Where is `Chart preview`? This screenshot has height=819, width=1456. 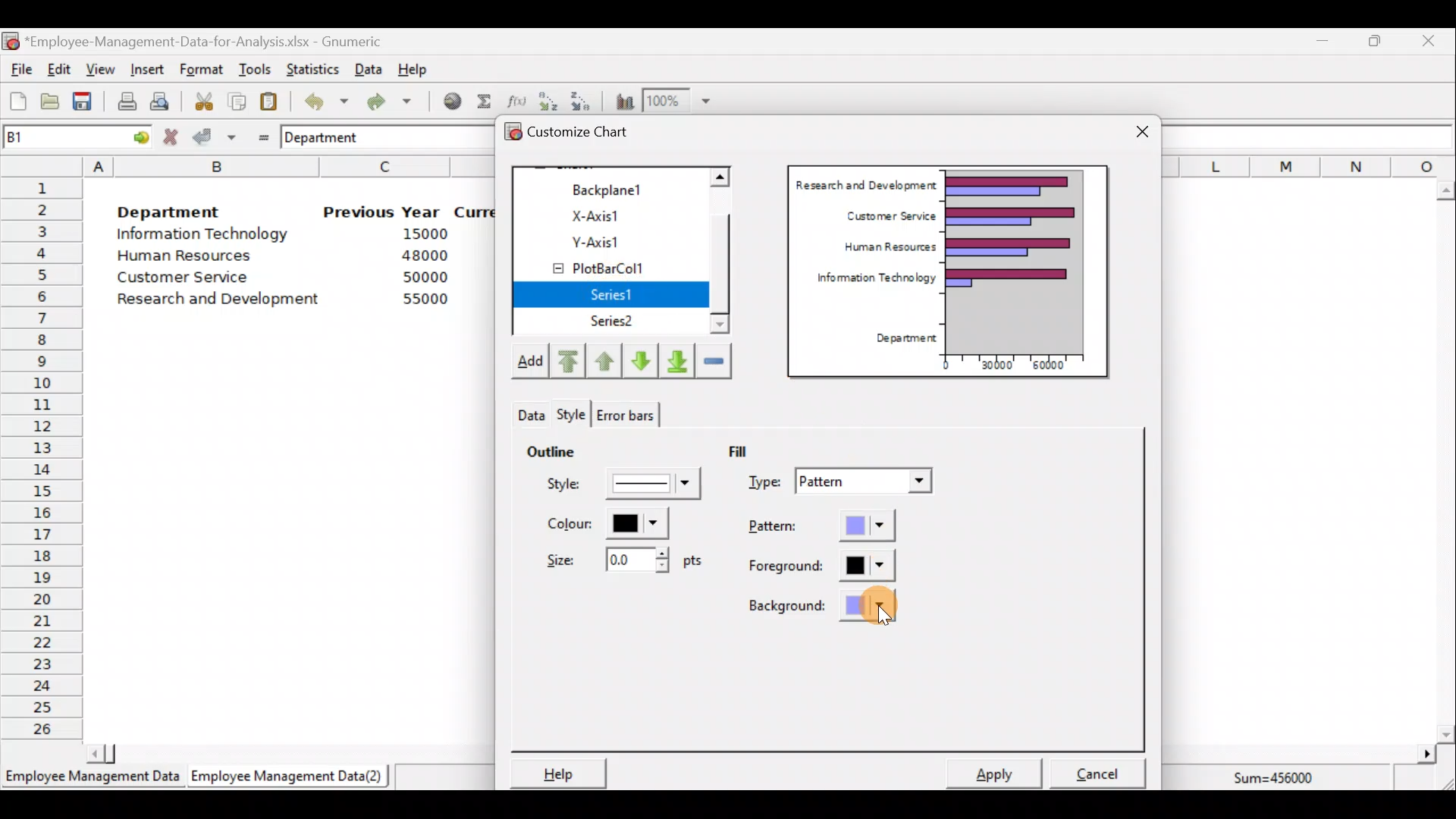
Chart preview is located at coordinates (1025, 261).